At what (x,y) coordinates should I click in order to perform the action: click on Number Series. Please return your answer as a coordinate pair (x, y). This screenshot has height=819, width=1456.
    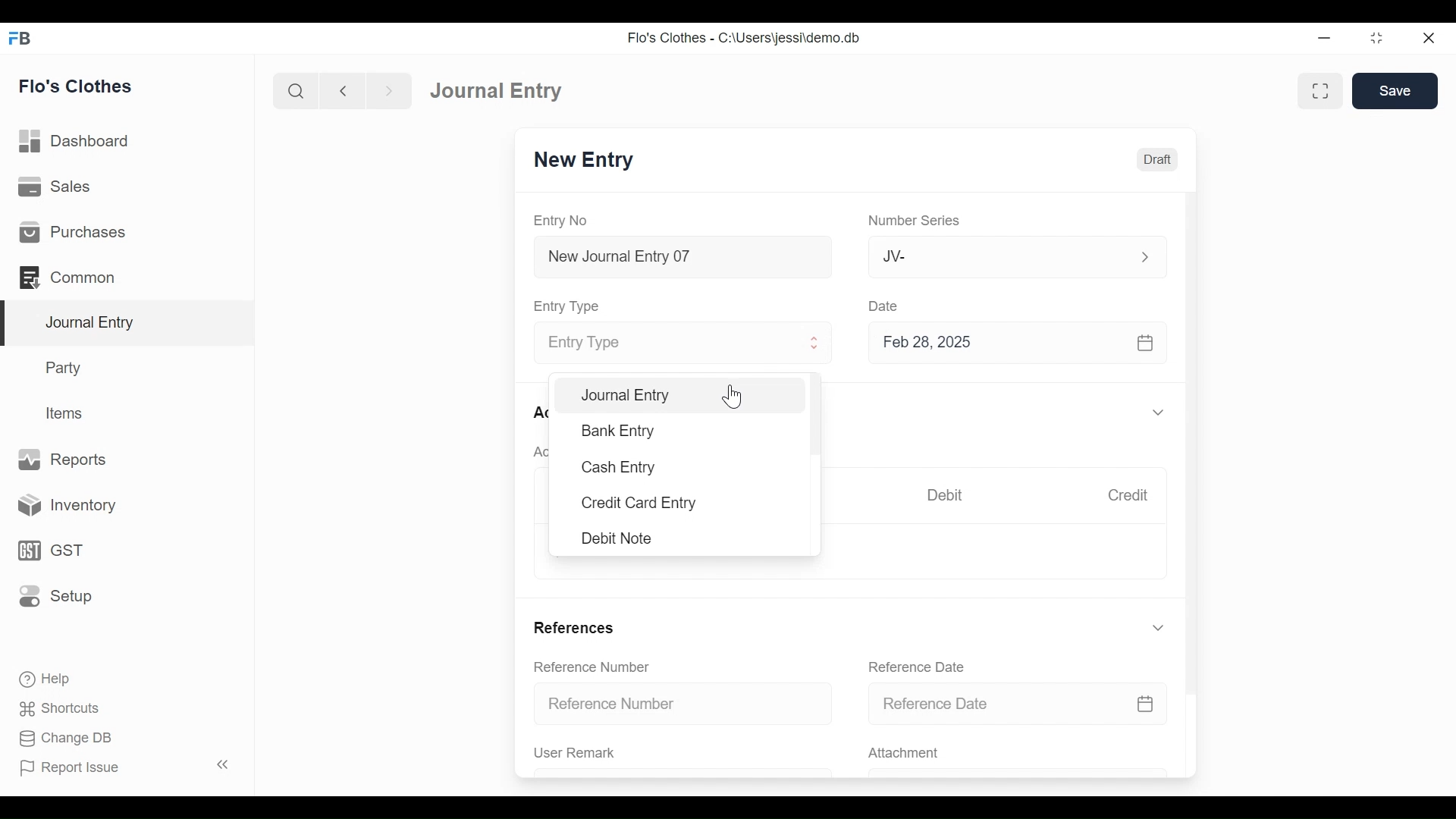
    Looking at the image, I should click on (915, 221).